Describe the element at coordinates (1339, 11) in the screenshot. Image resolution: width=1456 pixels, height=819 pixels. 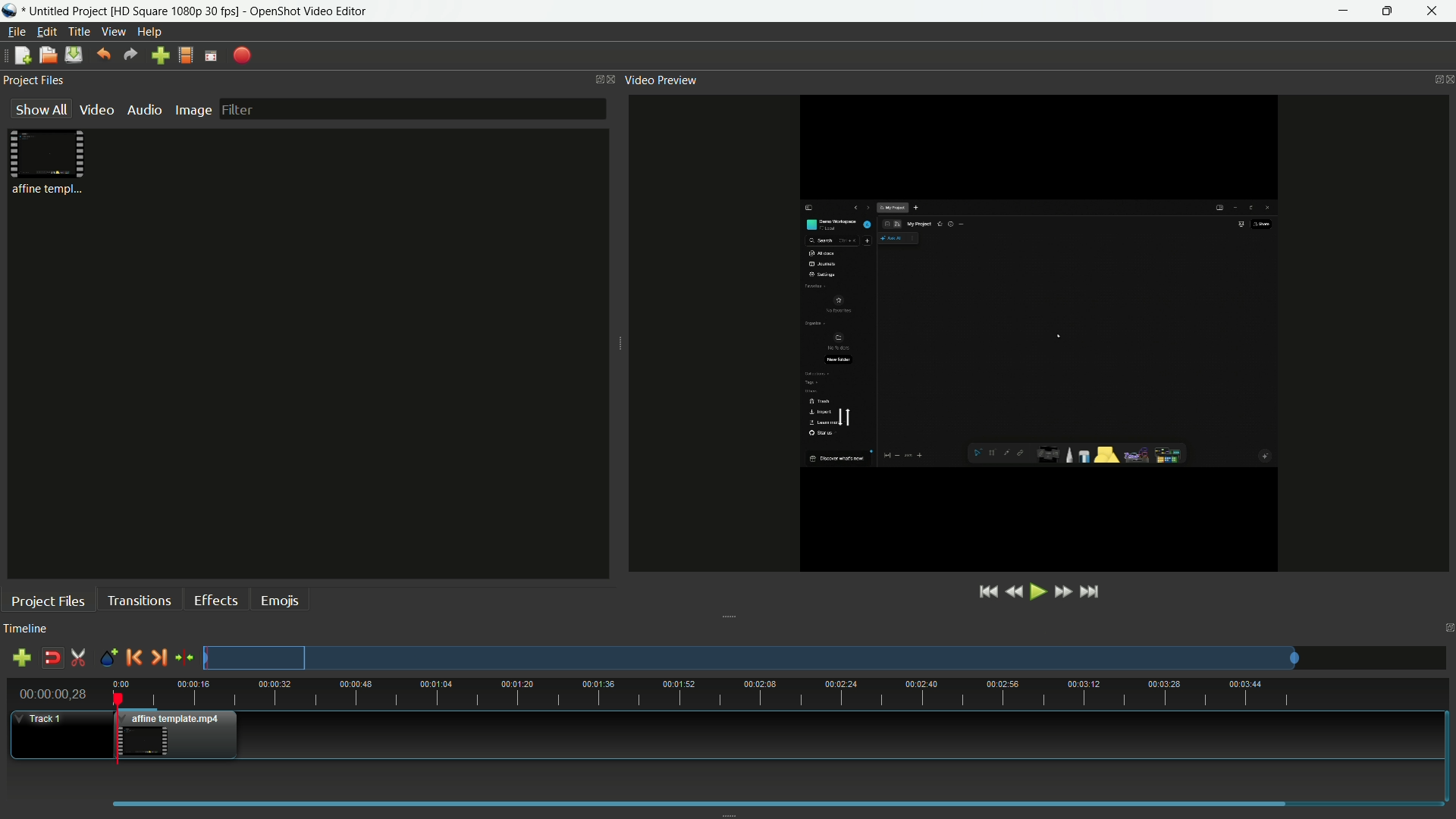
I see `minimize` at that location.